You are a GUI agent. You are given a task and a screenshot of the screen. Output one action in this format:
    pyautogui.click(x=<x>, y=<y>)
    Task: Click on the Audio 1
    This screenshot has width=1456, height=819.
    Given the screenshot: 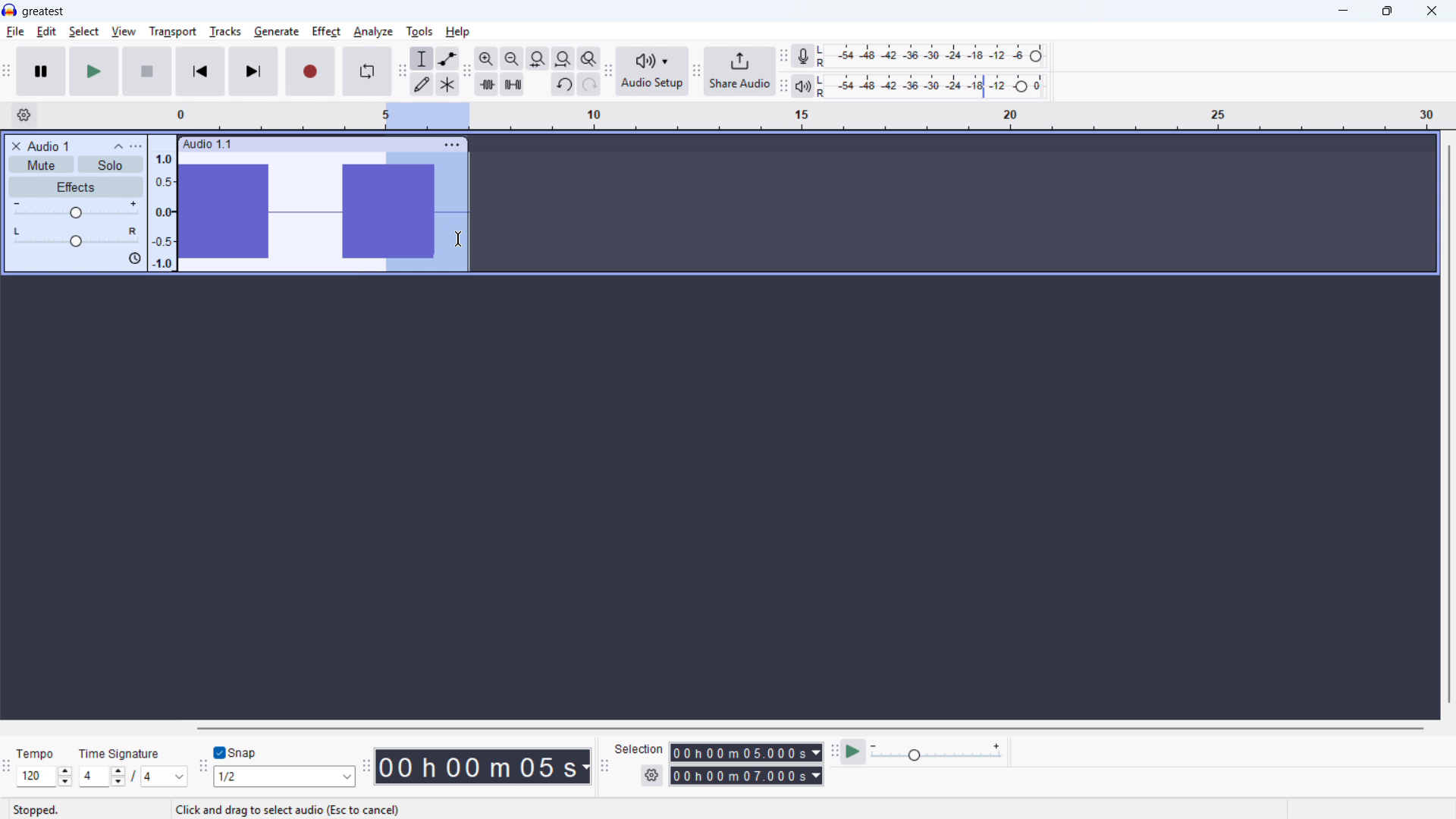 What is the action you would take?
    pyautogui.click(x=49, y=146)
    